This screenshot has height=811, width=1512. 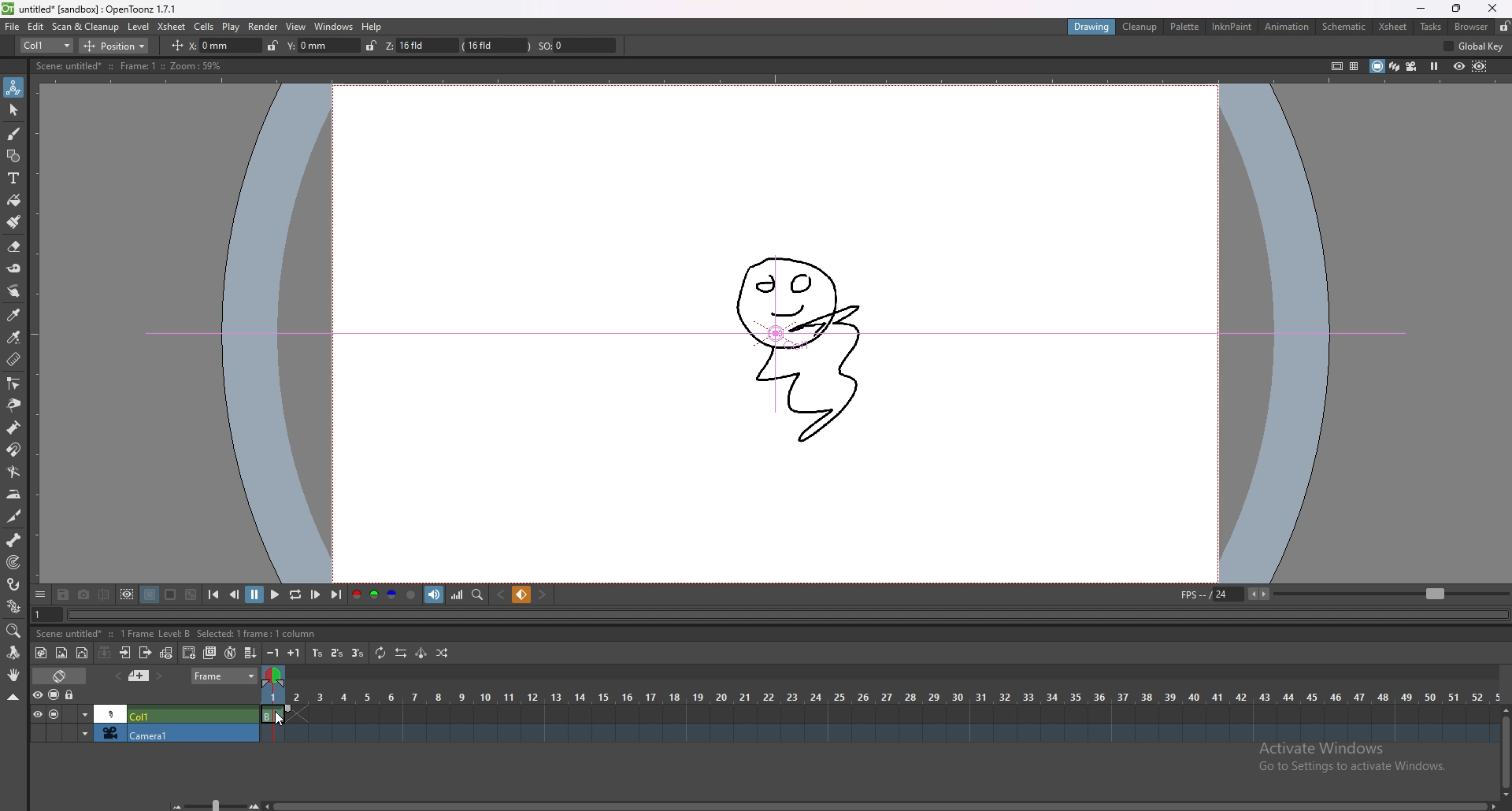 What do you see at coordinates (1478, 47) in the screenshot?
I see `Config` at bounding box center [1478, 47].